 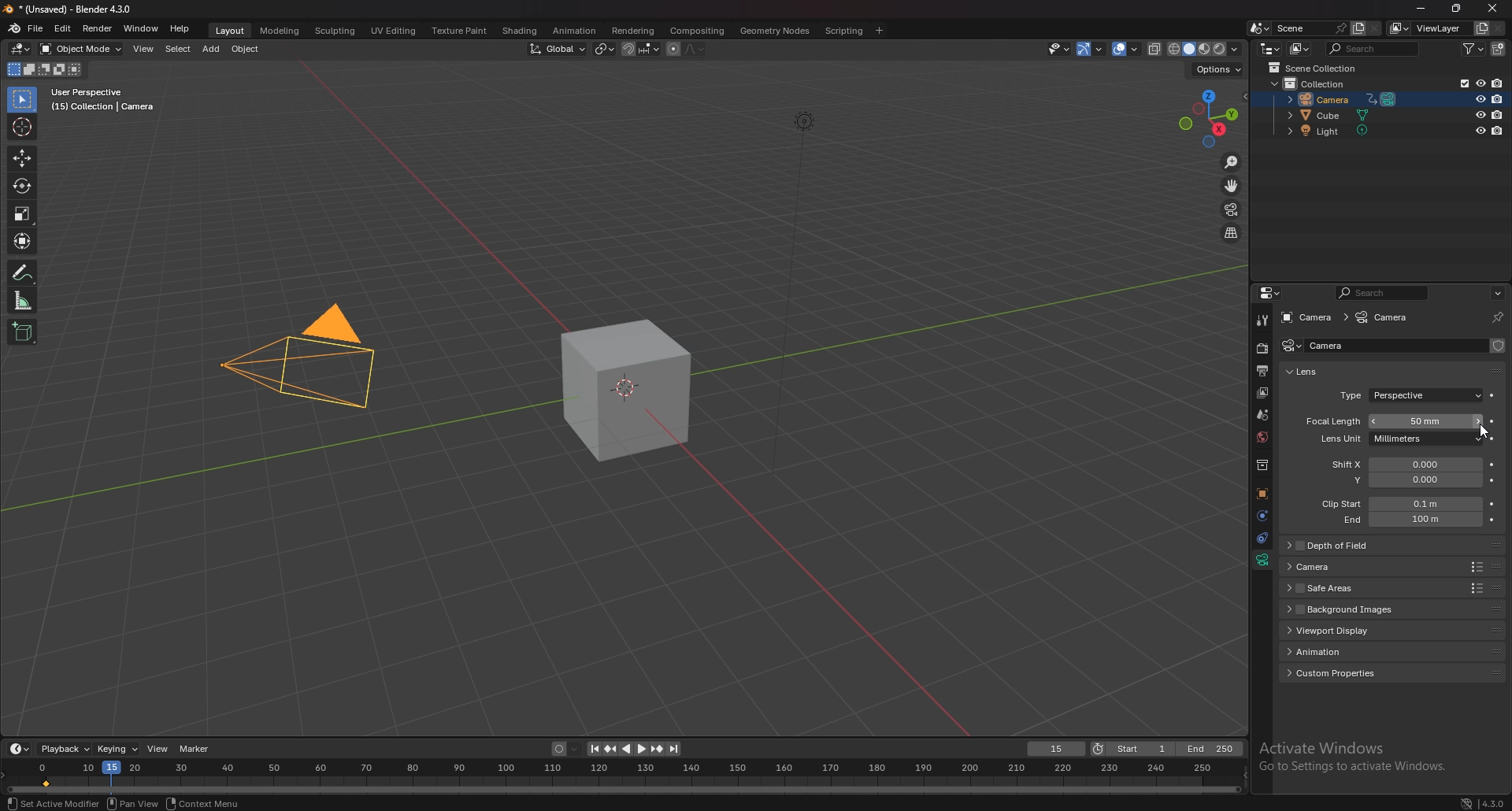 What do you see at coordinates (520, 30) in the screenshot?
I see `shading` at bounding box center [520, 30].